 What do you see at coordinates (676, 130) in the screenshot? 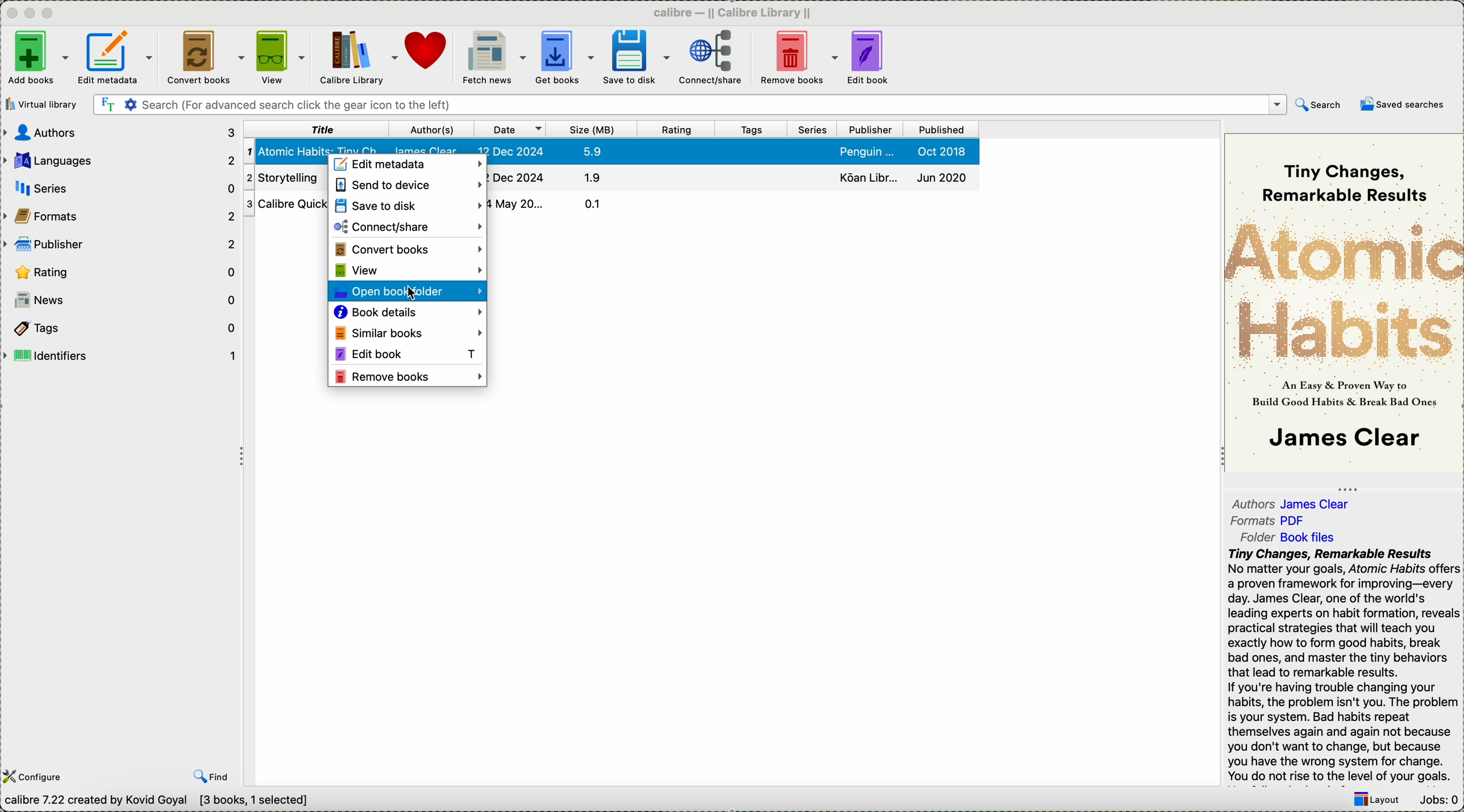
I see `rating` at bounding box center [676, 130].